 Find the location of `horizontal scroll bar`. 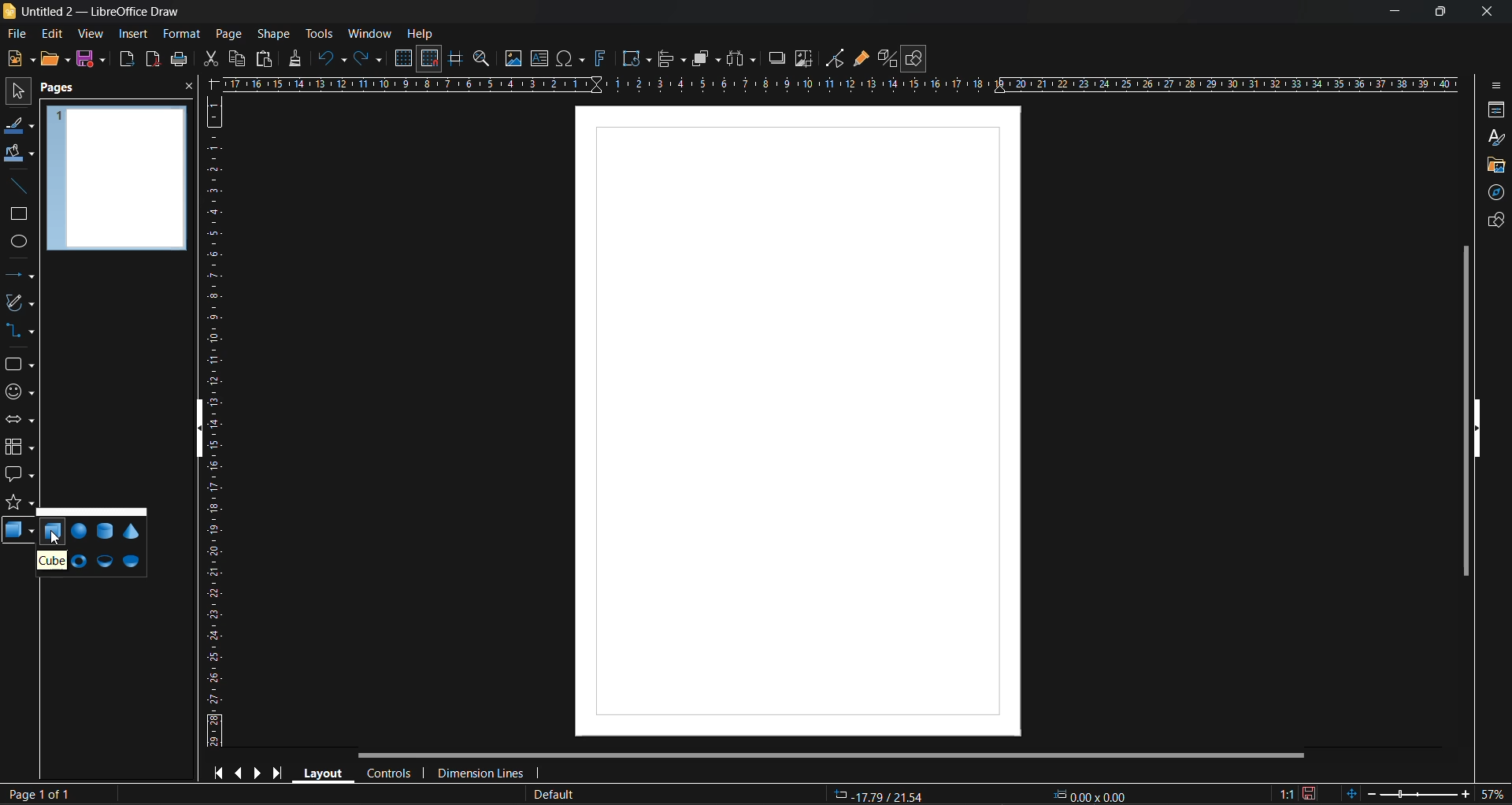

horizontal scroll bar is located at coordinates (836, 755).